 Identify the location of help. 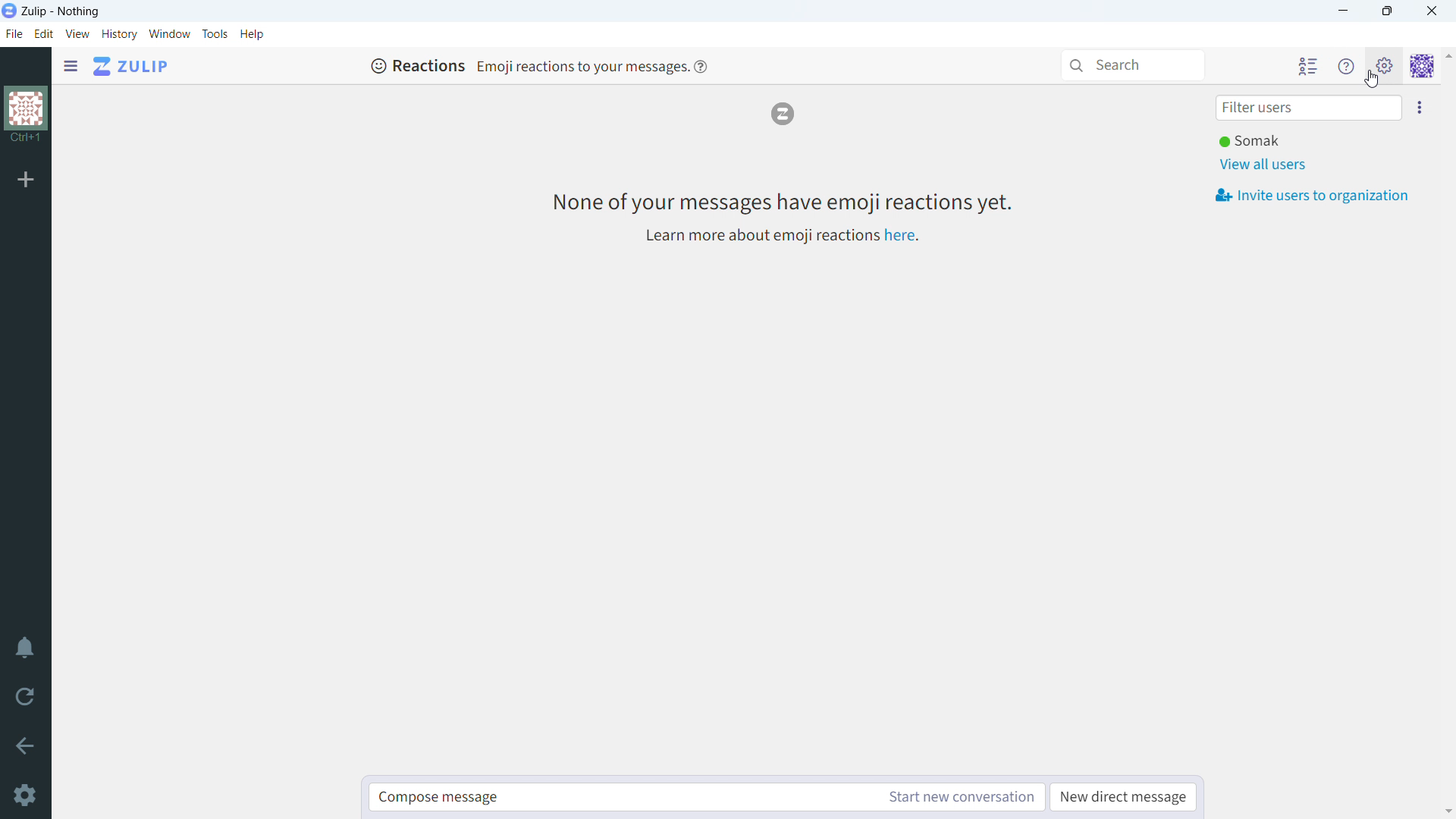
(252, 34).